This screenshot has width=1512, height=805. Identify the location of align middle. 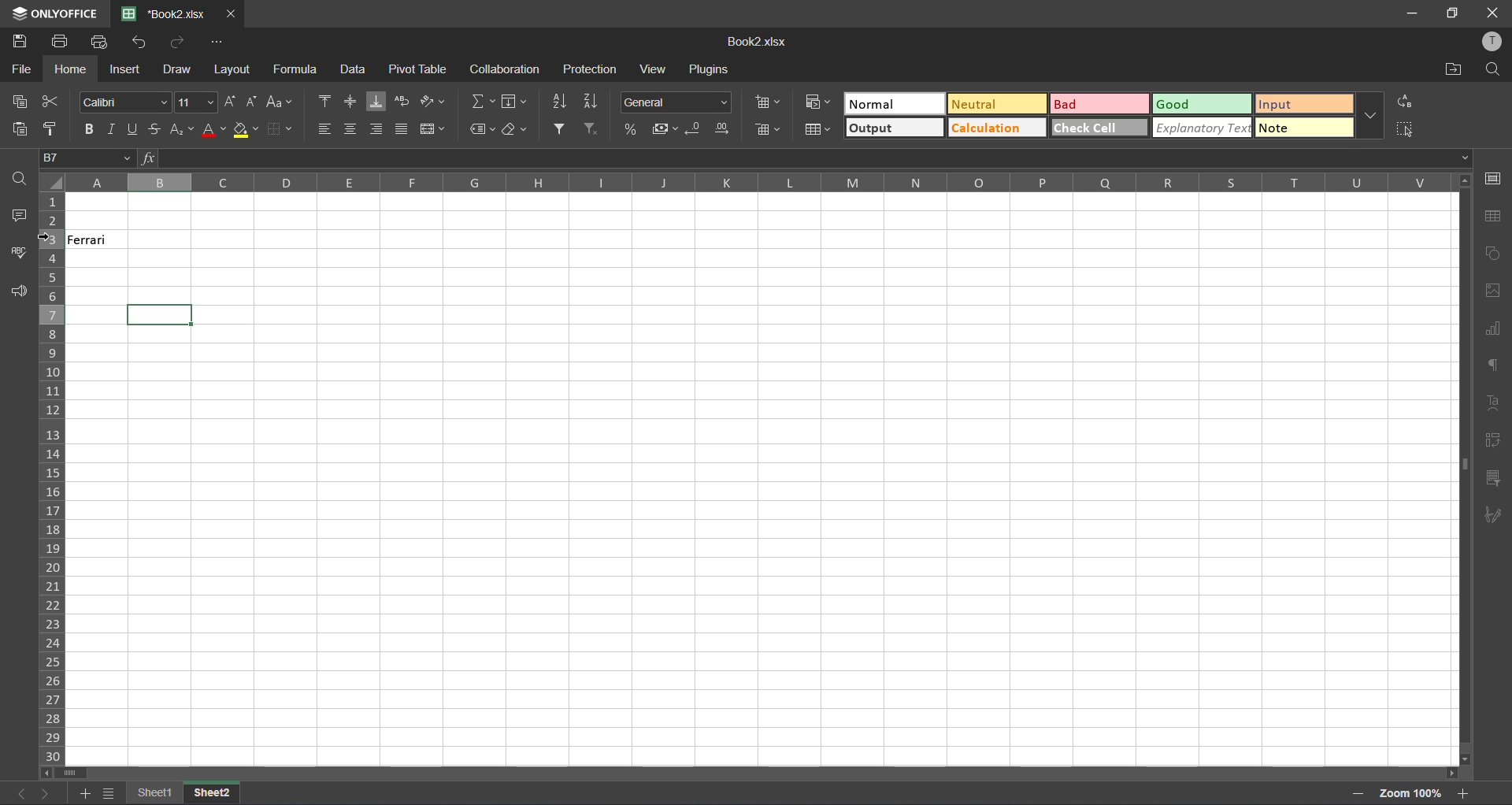
(351, 102).